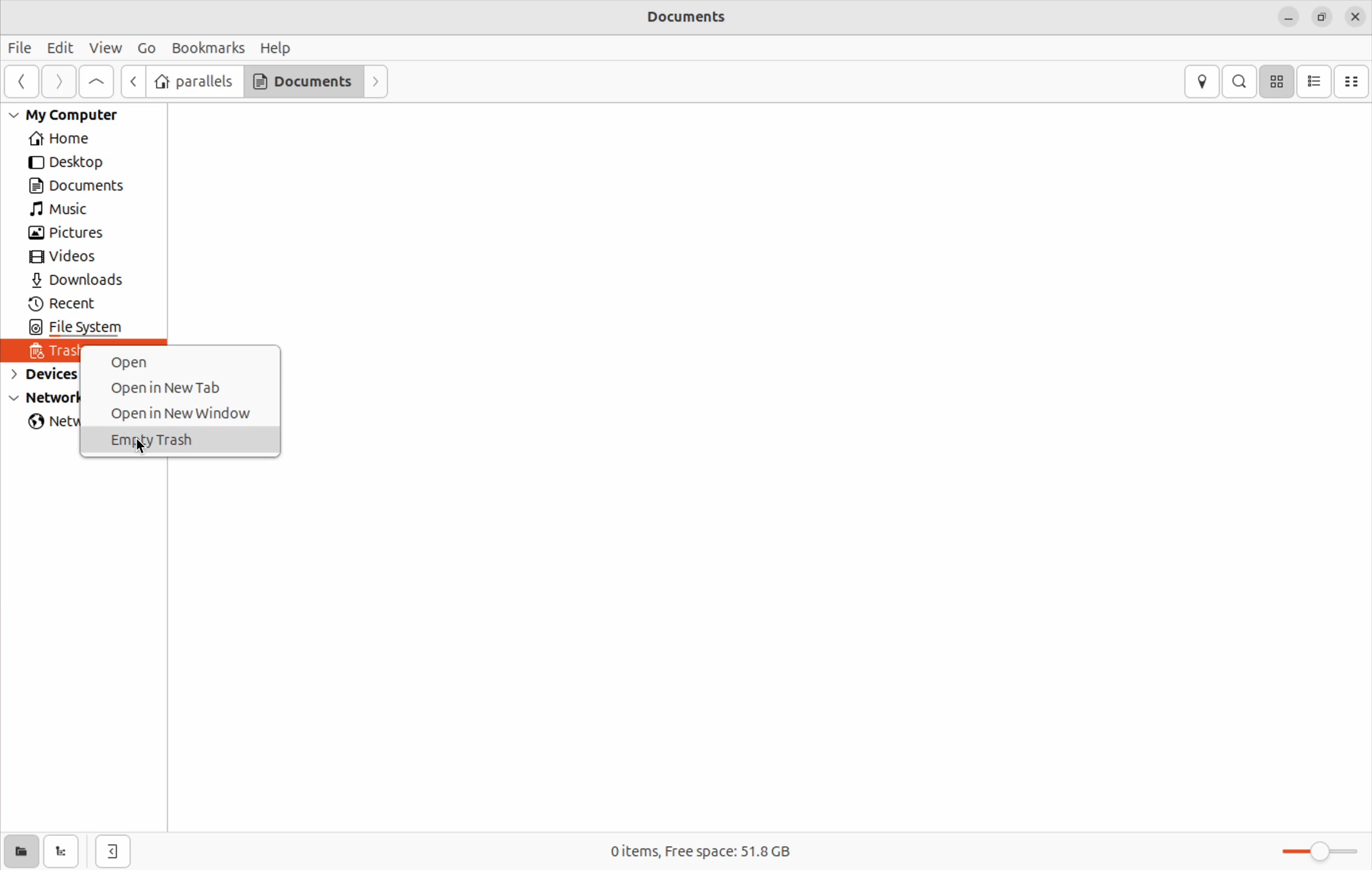 The width and height of the screenshot is (1372, 870). What do you see at coordinates (21, 83) in the screenshot?
I see `Previous` at bounding box center [21, 83].